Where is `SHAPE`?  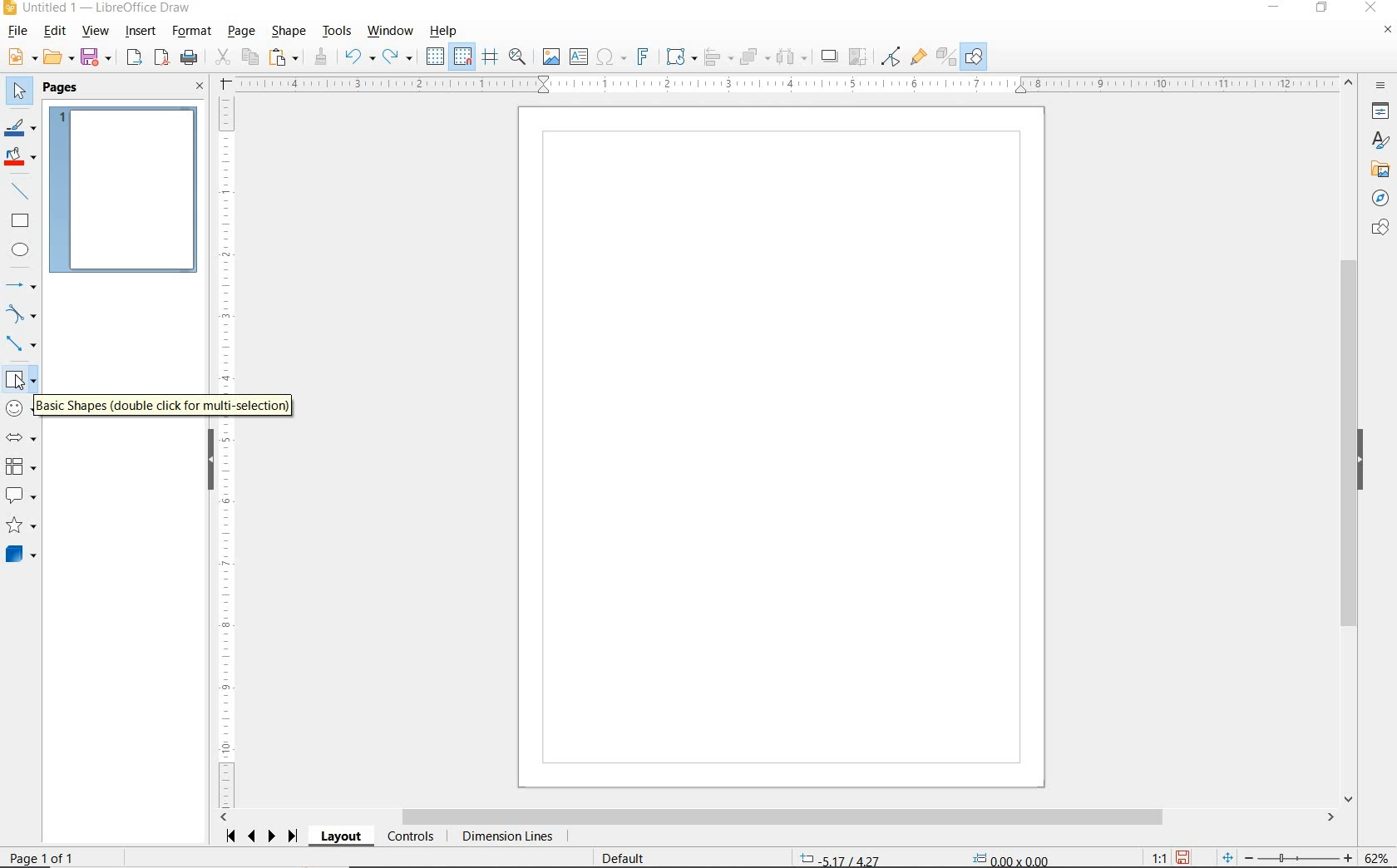 SHAPE is located at coordinates (289, 32).